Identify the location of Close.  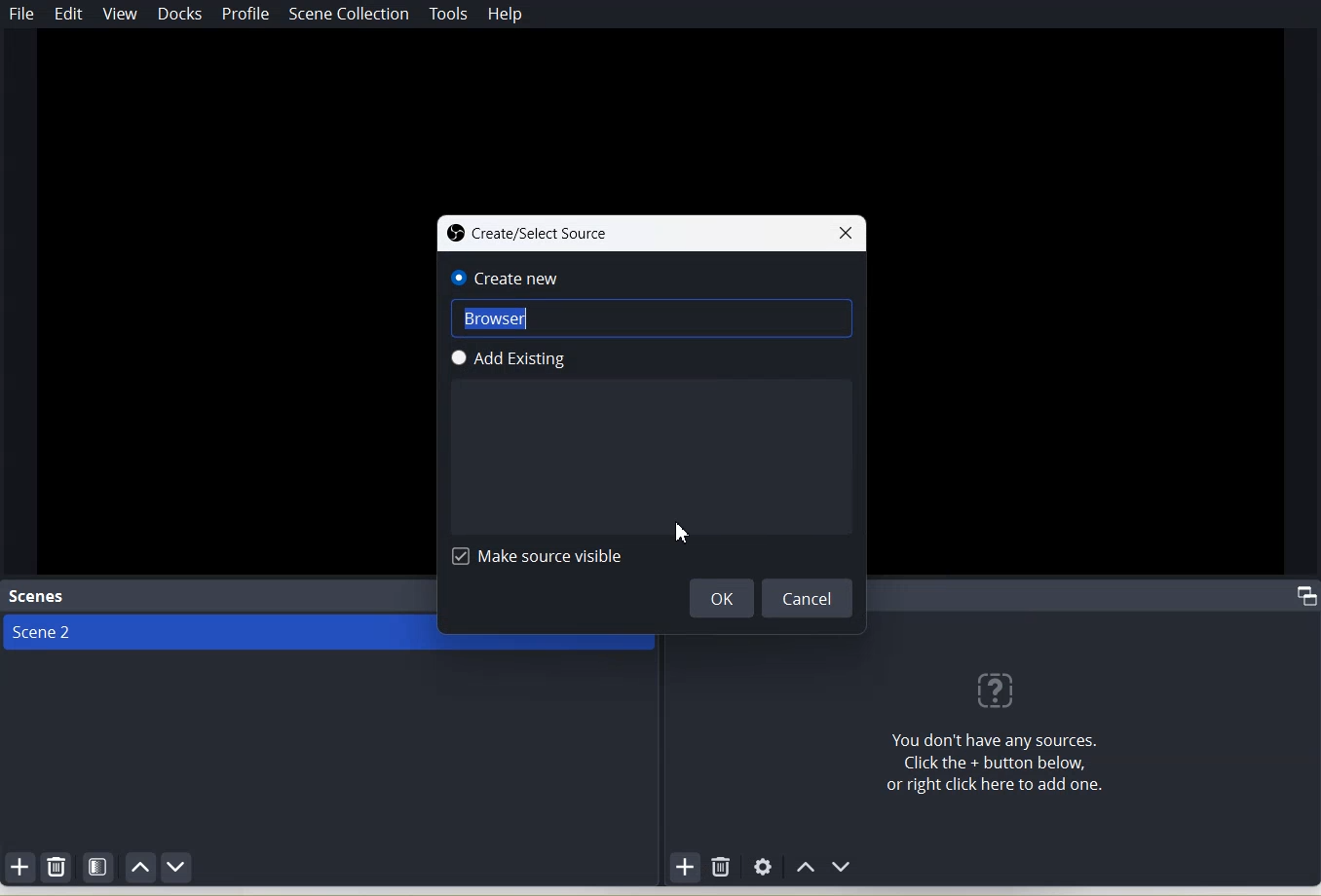
(849, 233).